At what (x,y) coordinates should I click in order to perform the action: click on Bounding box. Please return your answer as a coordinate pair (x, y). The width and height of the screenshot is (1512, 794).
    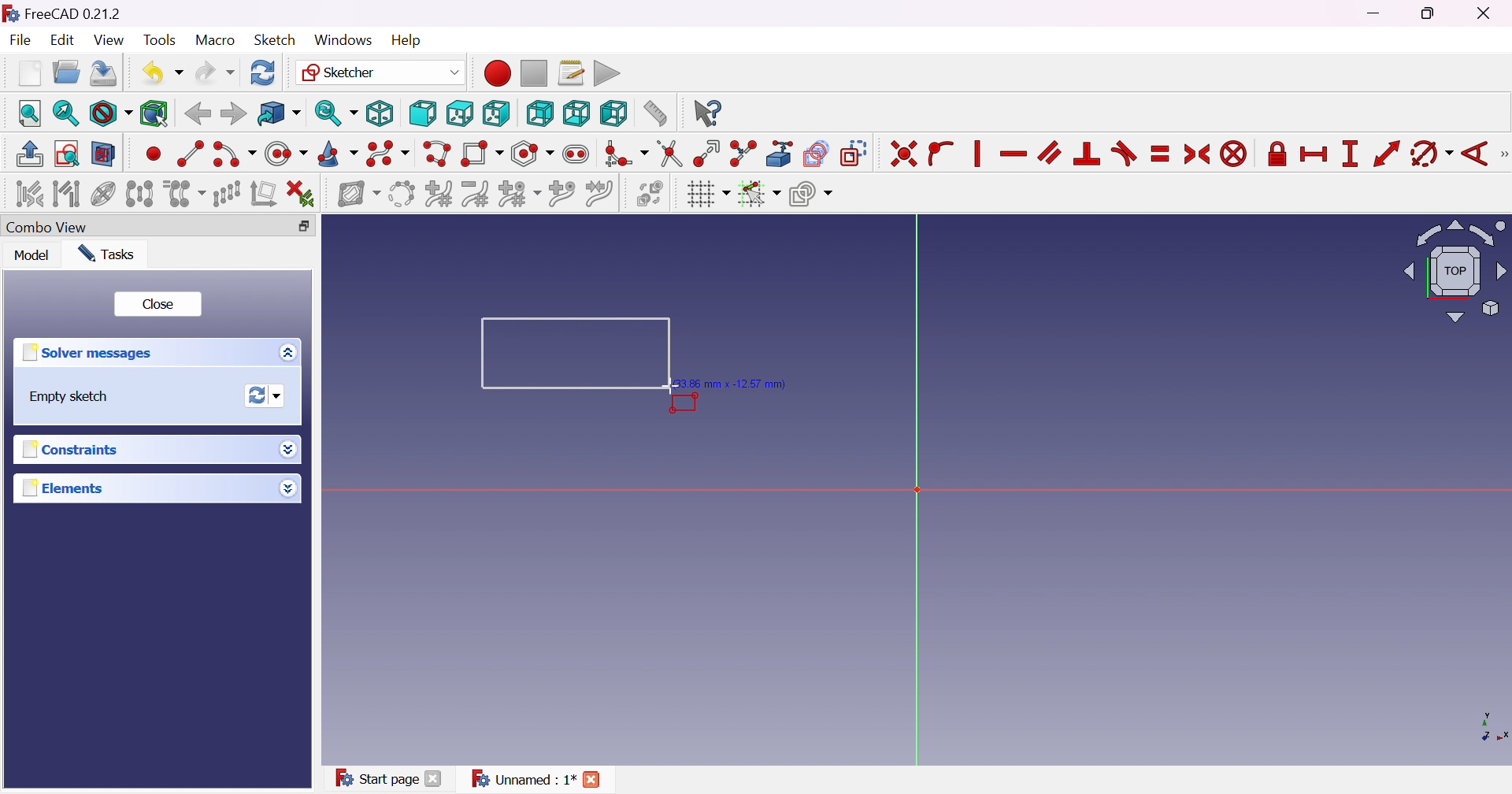
    Looking at the image, I should click on (155, 115).